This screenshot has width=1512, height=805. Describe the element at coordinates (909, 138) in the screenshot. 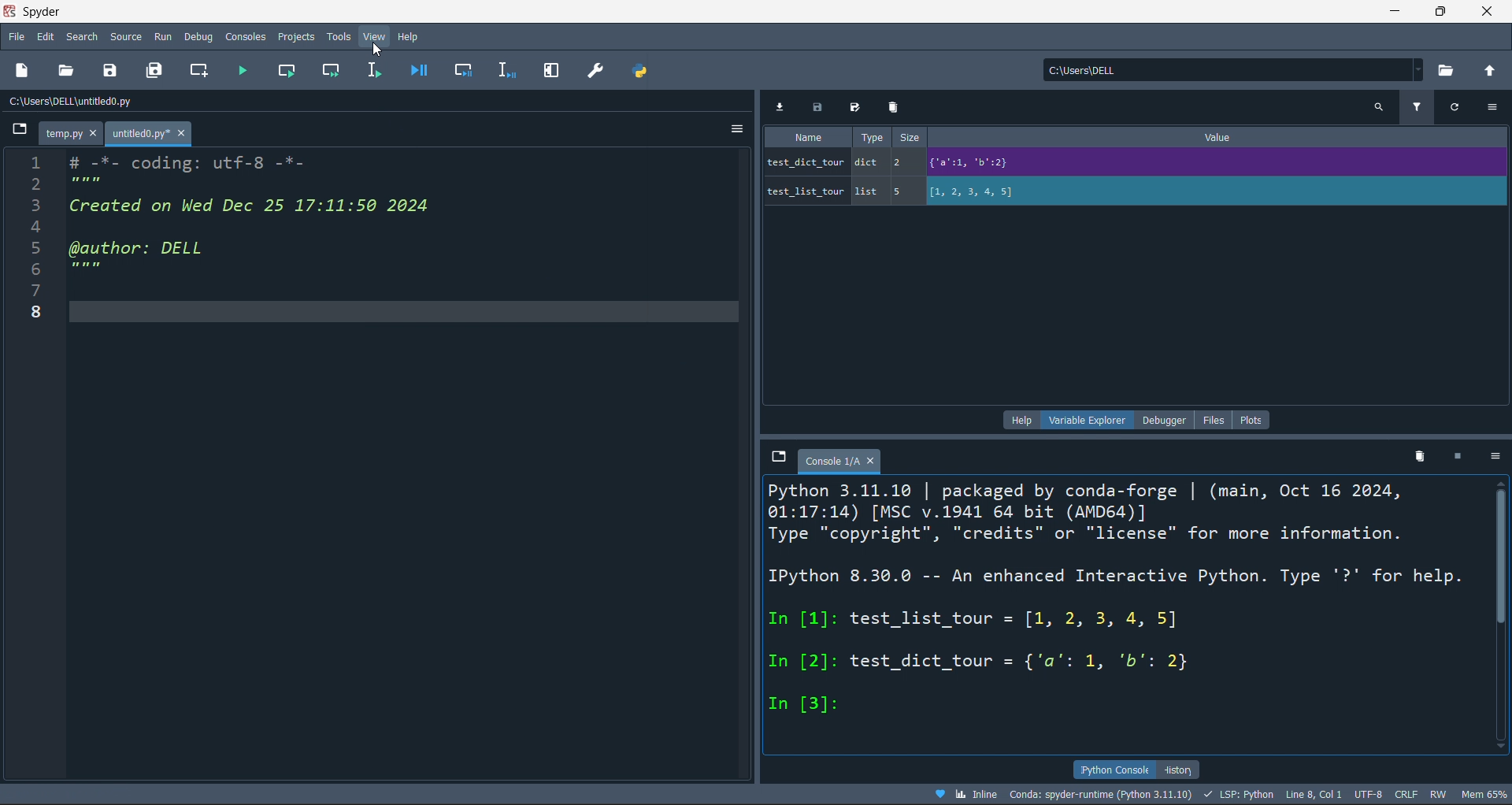

I see `size` at that location.